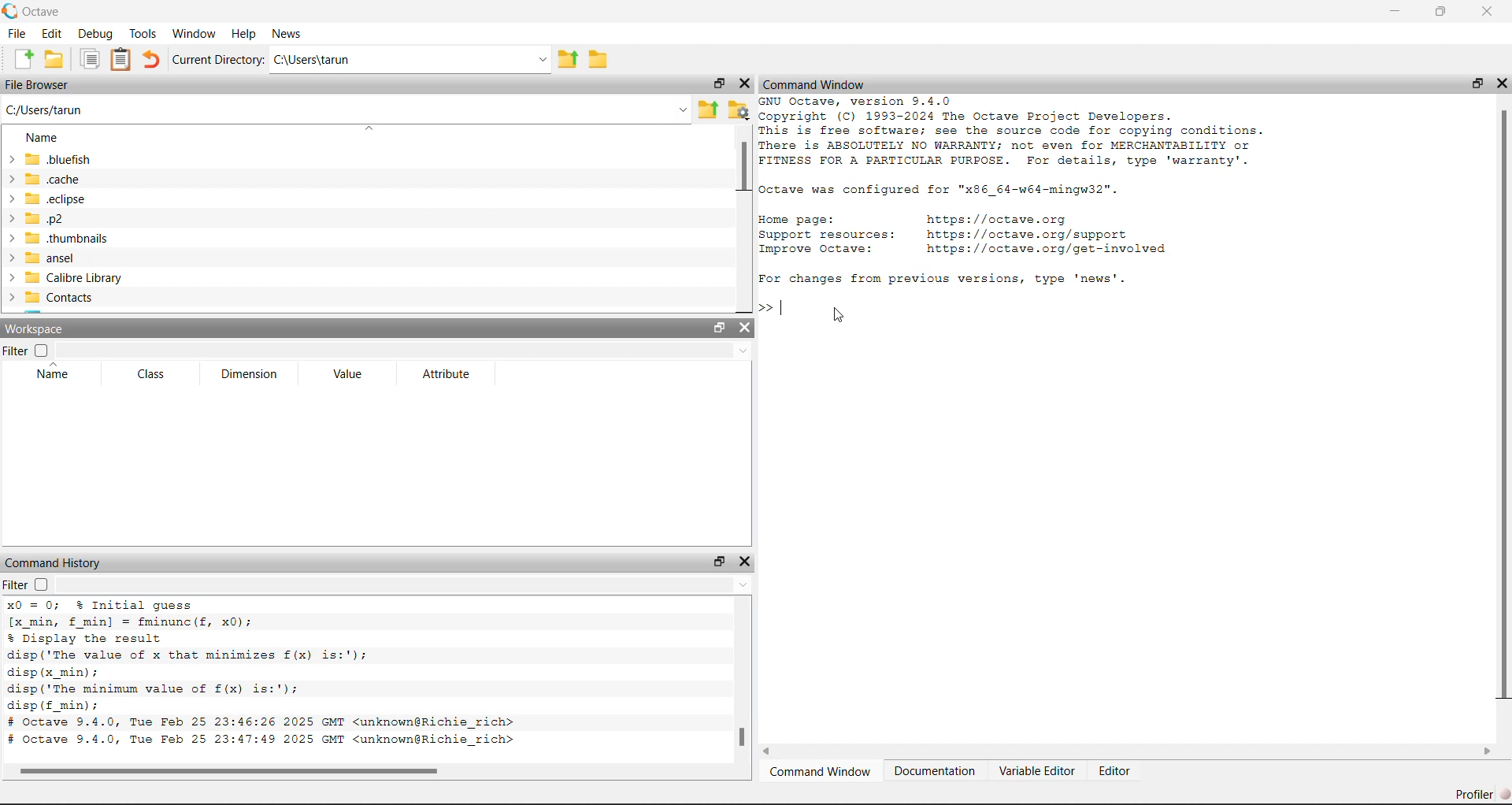 The height and width of the screenshot is (805, 1512). I want to click on Open an existing file in editor, so click(57, 58).